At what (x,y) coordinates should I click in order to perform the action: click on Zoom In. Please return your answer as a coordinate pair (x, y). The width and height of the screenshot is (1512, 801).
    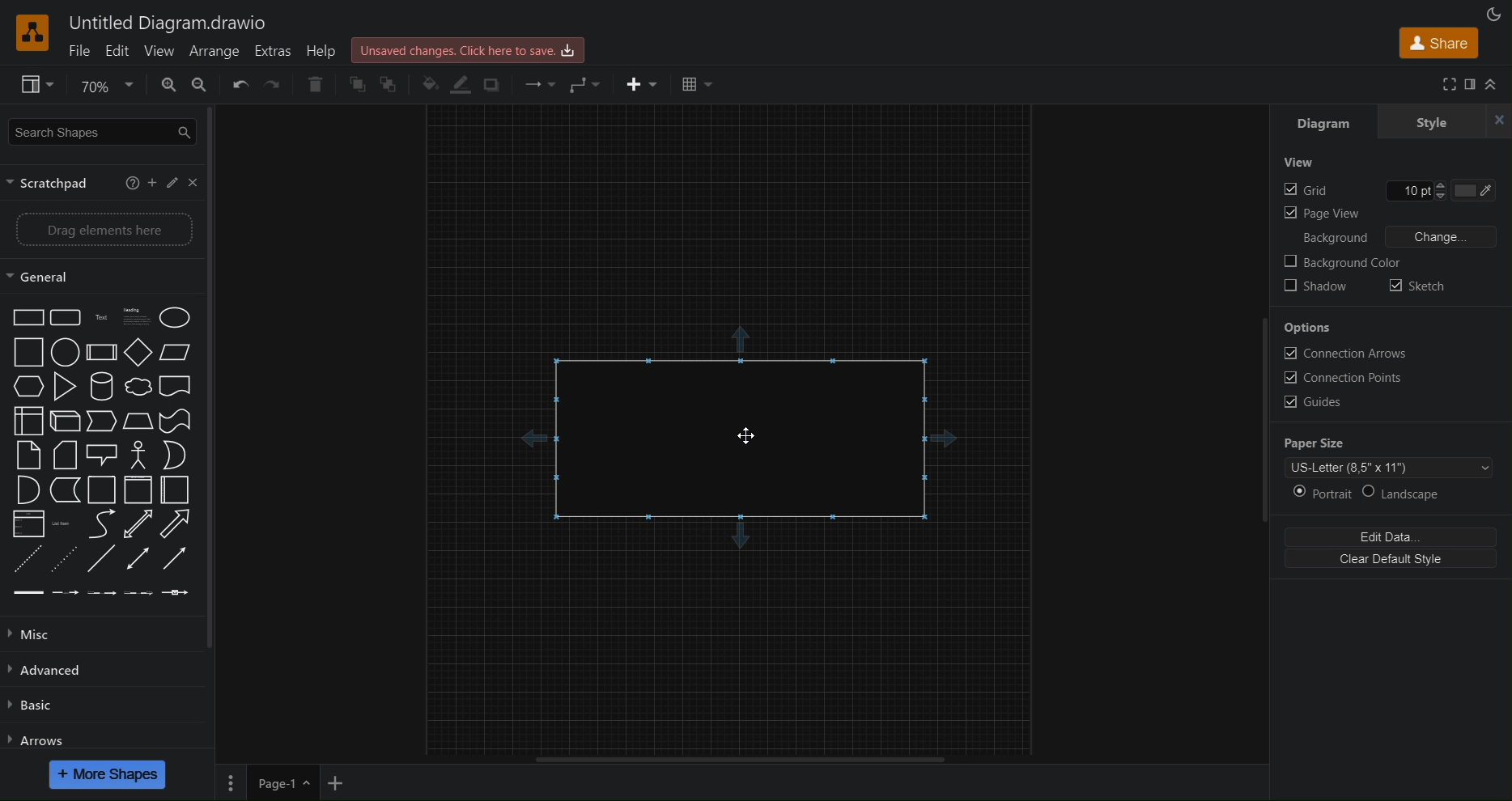
    Looking at the image, I should click on (165, 87).